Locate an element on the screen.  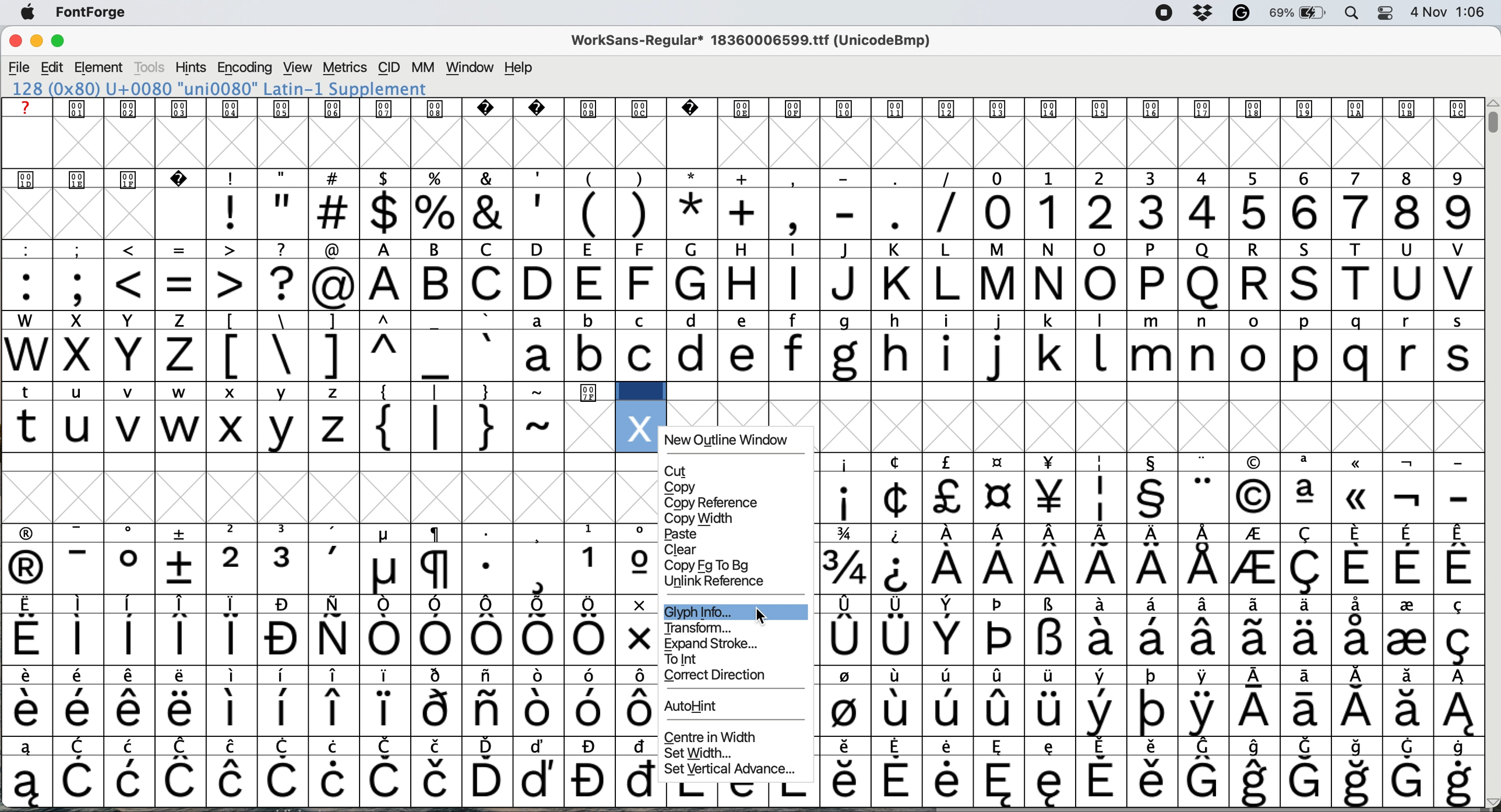
data cells is located at coordinates (1045, 391).